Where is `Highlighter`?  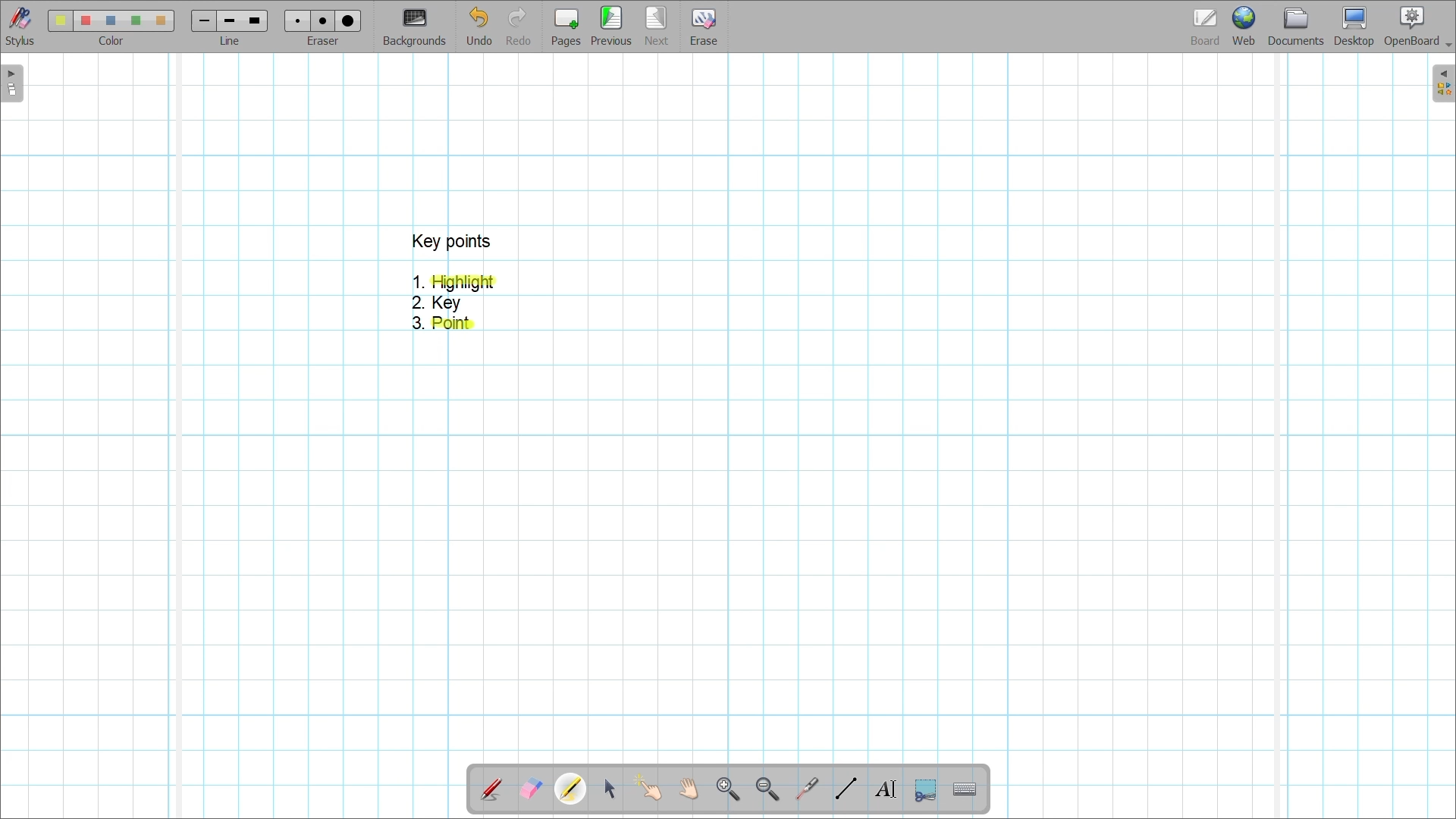
Highlighter is located at coordinates (570, 789).